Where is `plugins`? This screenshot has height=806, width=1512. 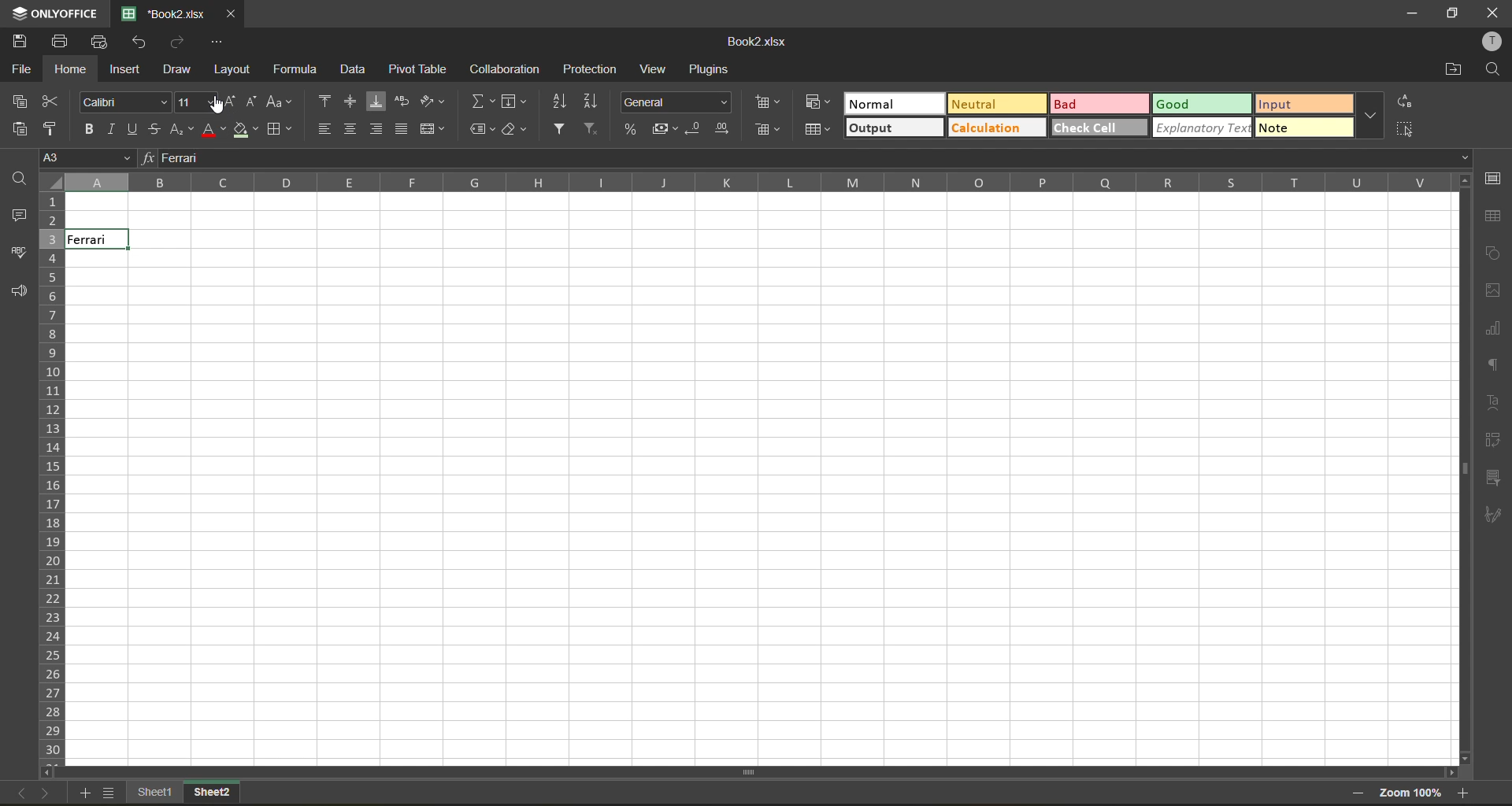 plugins is located at coordinates (713, 68).